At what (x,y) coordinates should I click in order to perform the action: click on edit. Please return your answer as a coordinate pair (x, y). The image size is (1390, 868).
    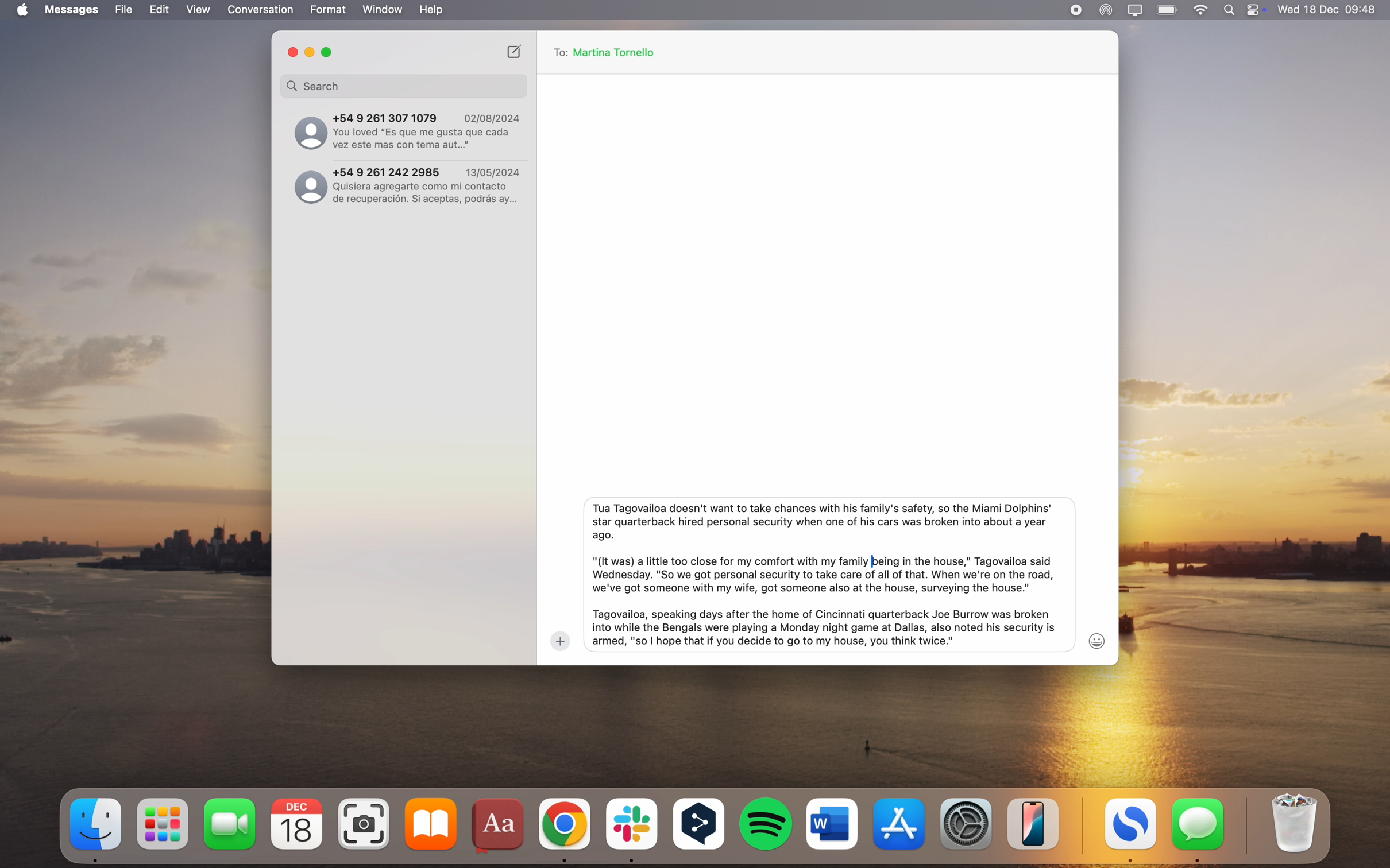
    Looking at the image, I should click on (159, 10).